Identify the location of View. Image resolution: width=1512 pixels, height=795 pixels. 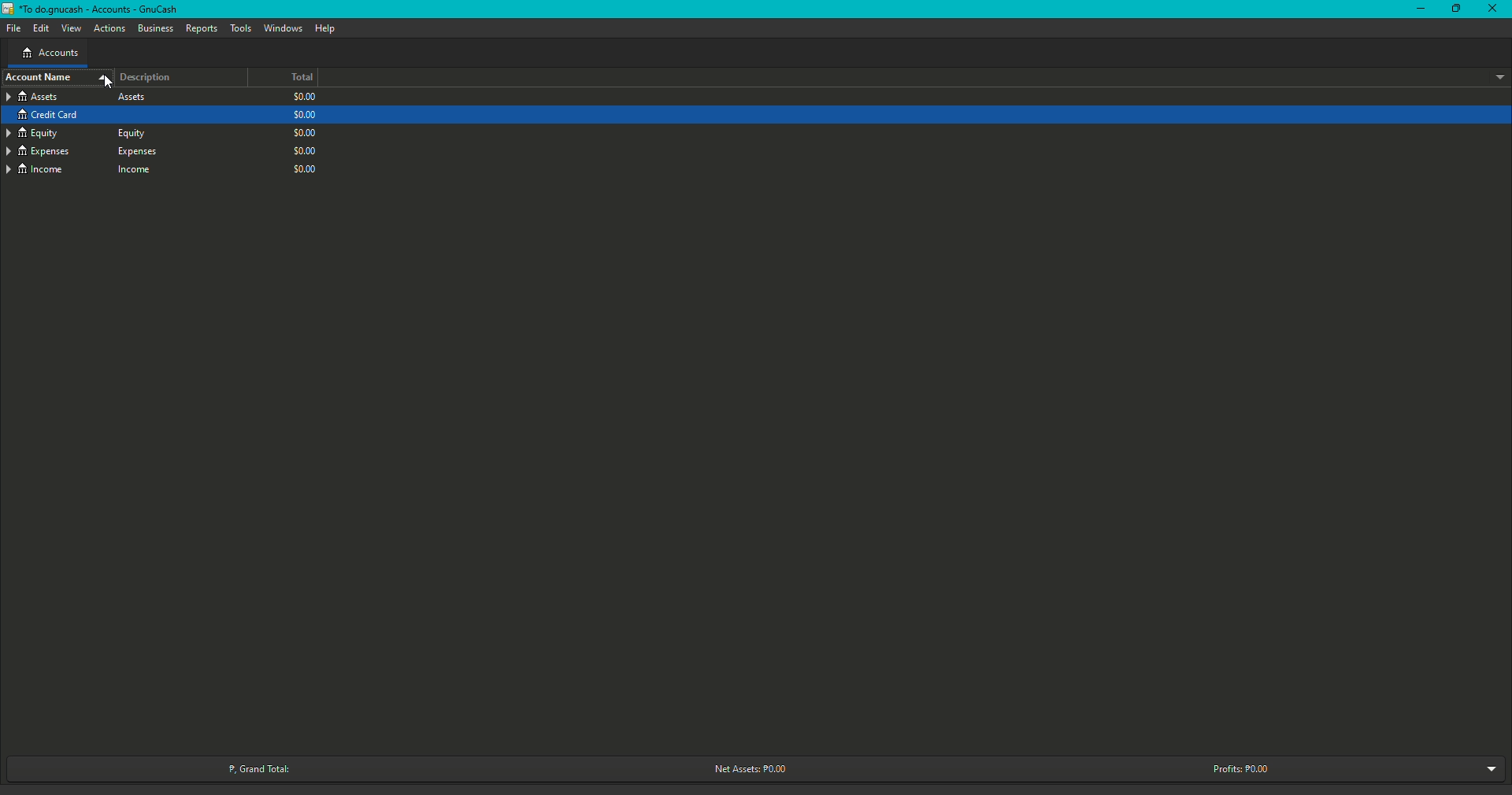
(69, 29).